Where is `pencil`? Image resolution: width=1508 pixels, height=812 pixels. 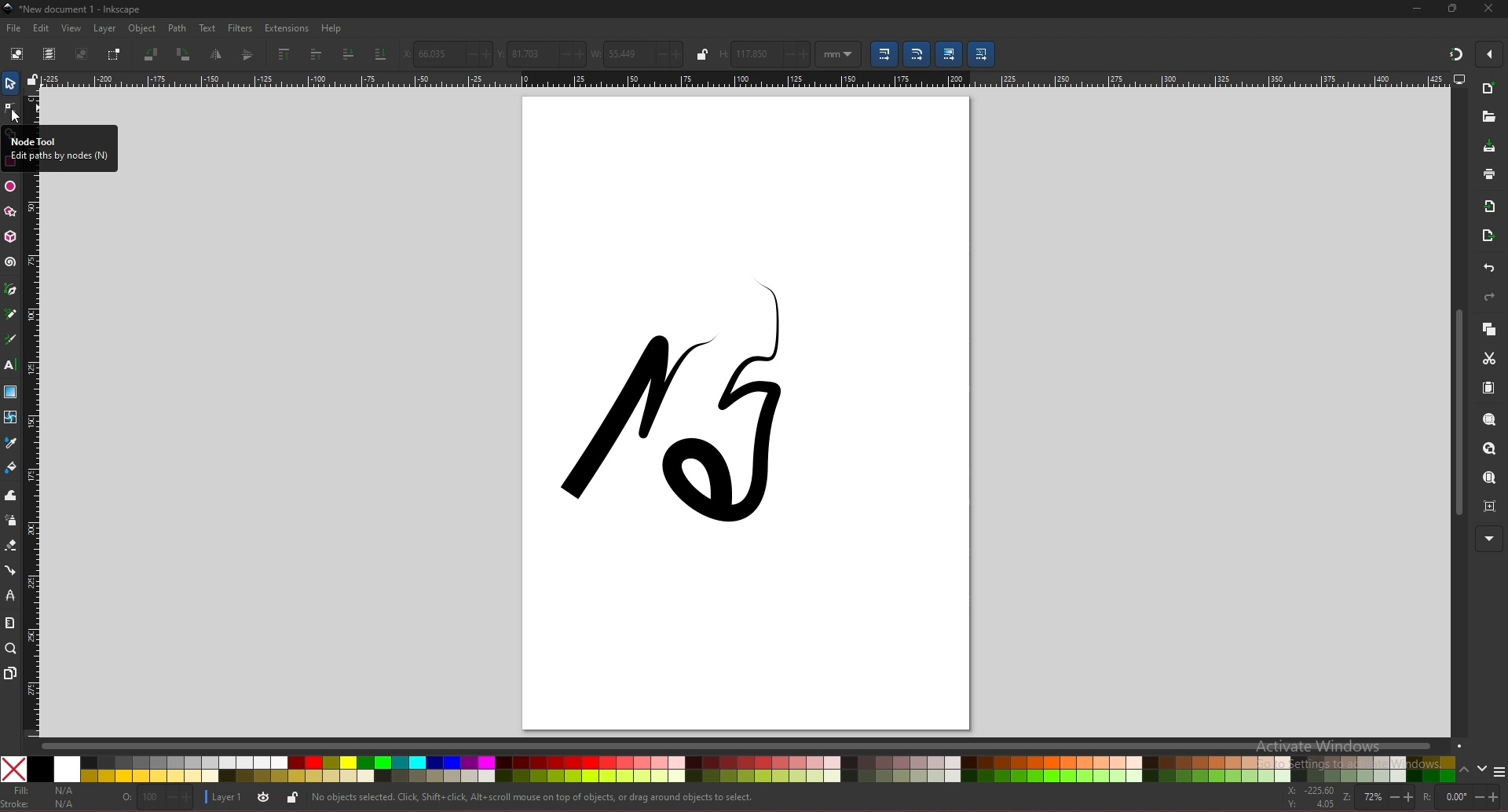 pencil is located at coordinates (11, 313).